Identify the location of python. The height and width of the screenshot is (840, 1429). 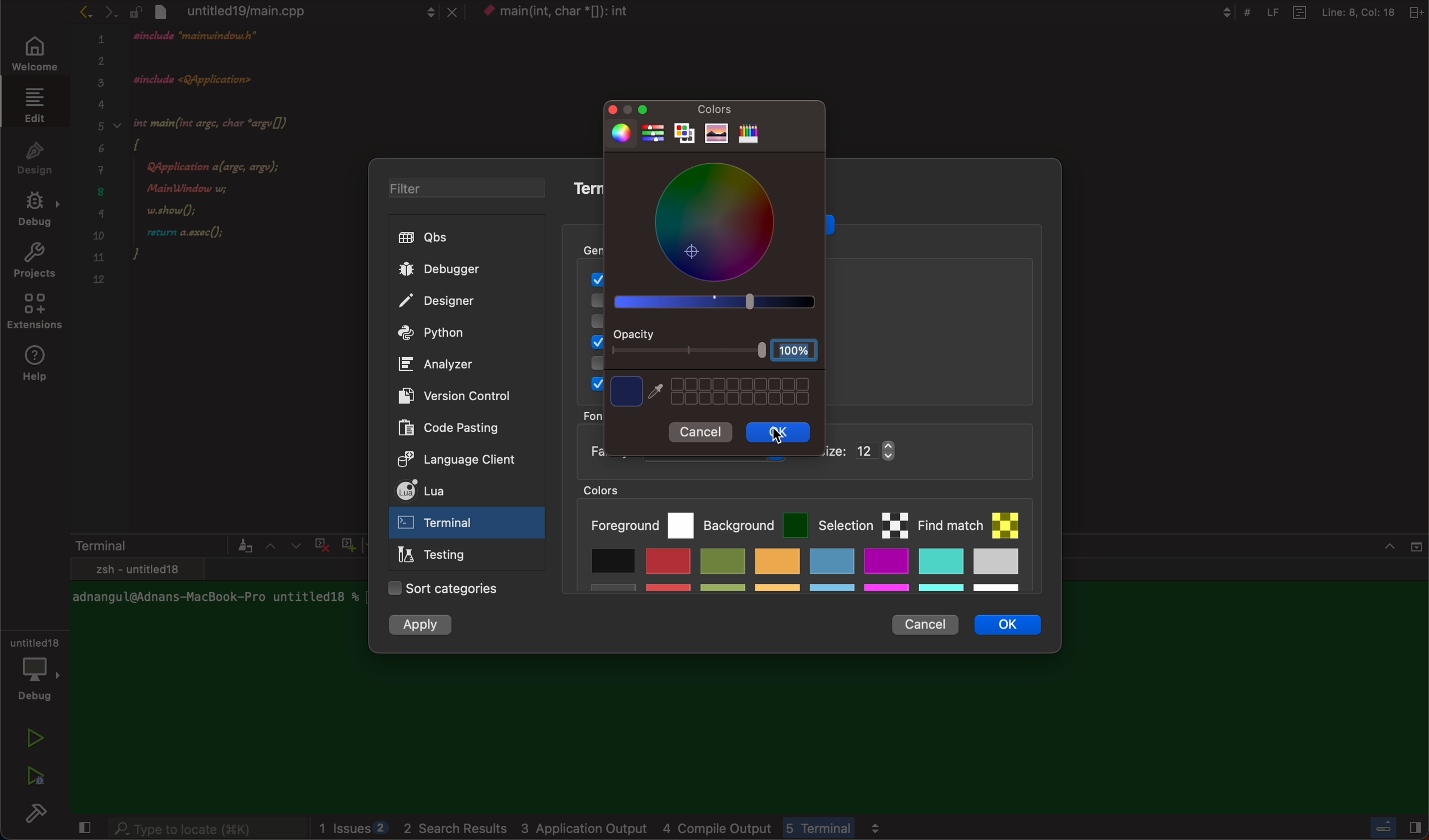
(456, 334).